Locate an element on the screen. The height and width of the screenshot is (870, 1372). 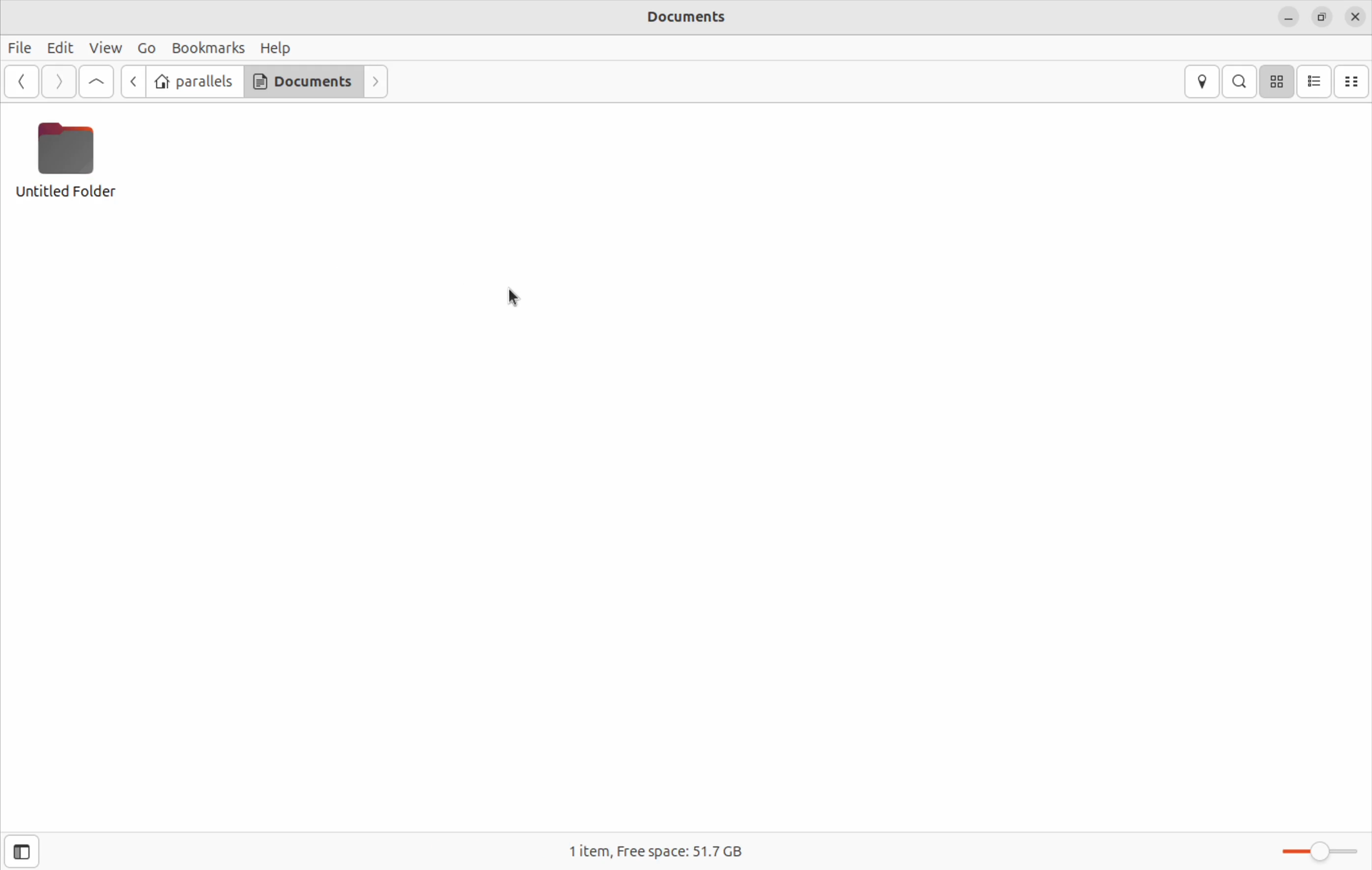
minimize is located at coordinates (1289, 16).